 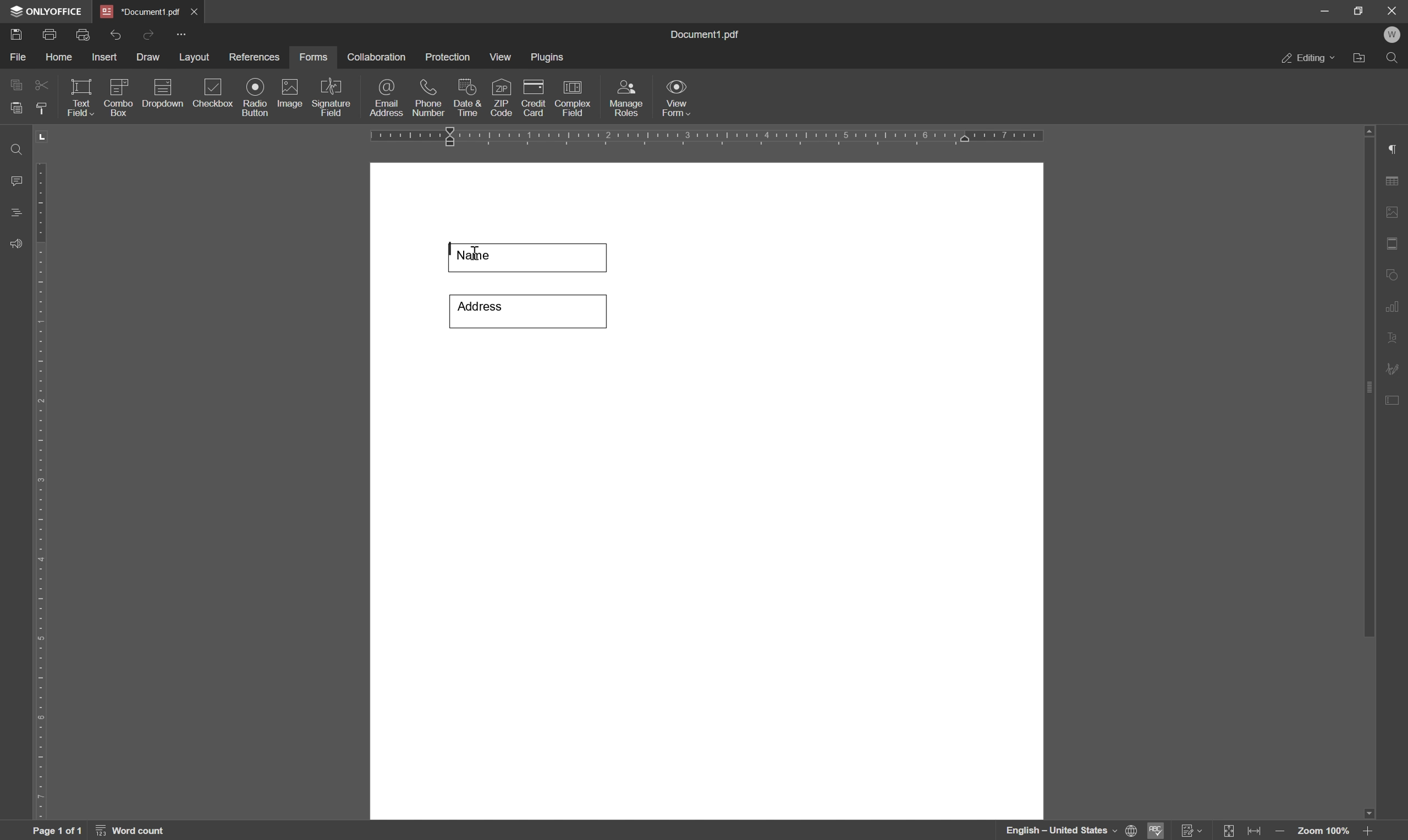 I want to click on description, so click(x=165, y=95).